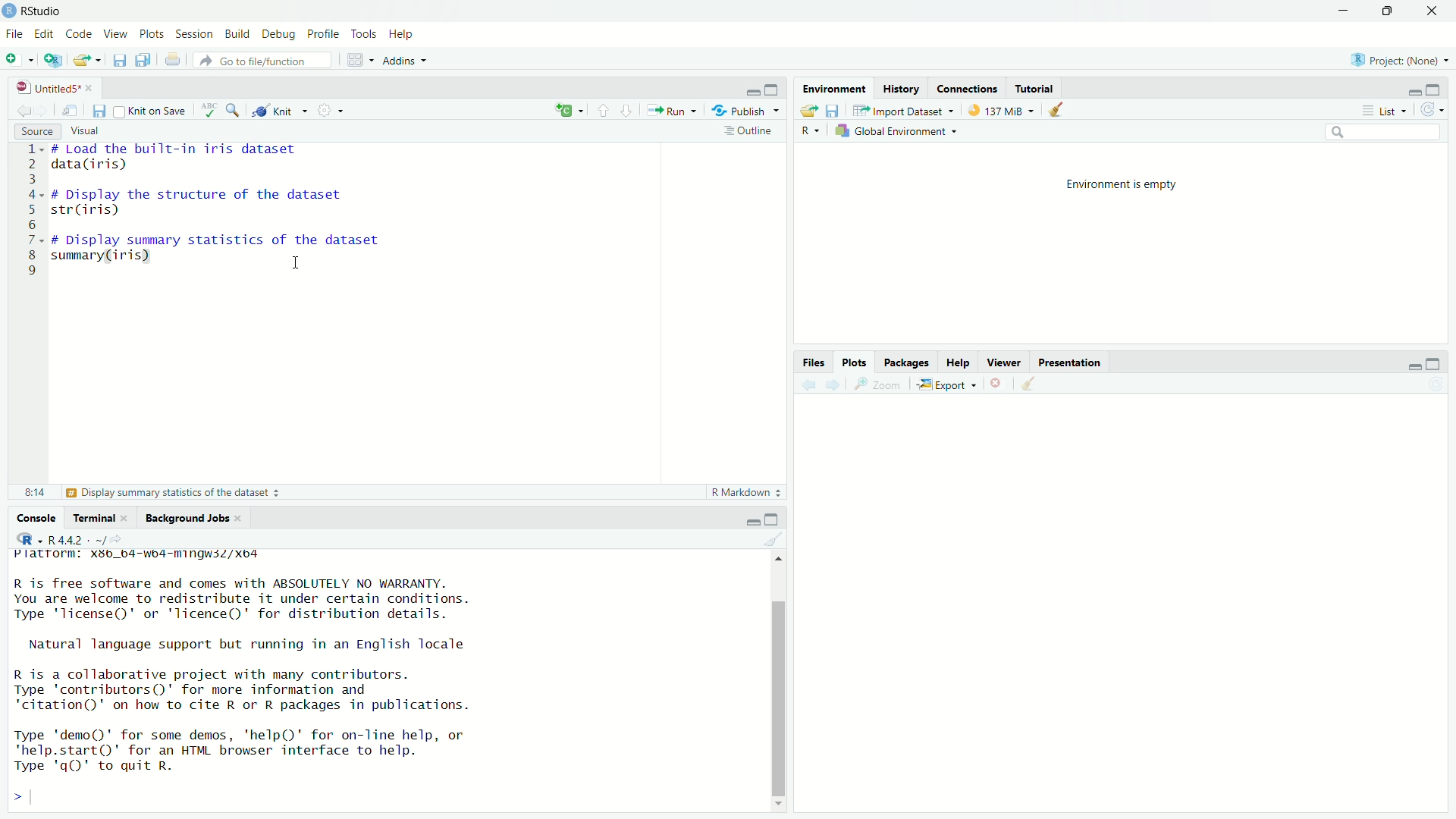 Image resolution: width=1456 pixels, height=819 pixels. What do you see at coordinates (907, 361) in the screenshot?
I see `Packages` at bounding box center [907, 361].